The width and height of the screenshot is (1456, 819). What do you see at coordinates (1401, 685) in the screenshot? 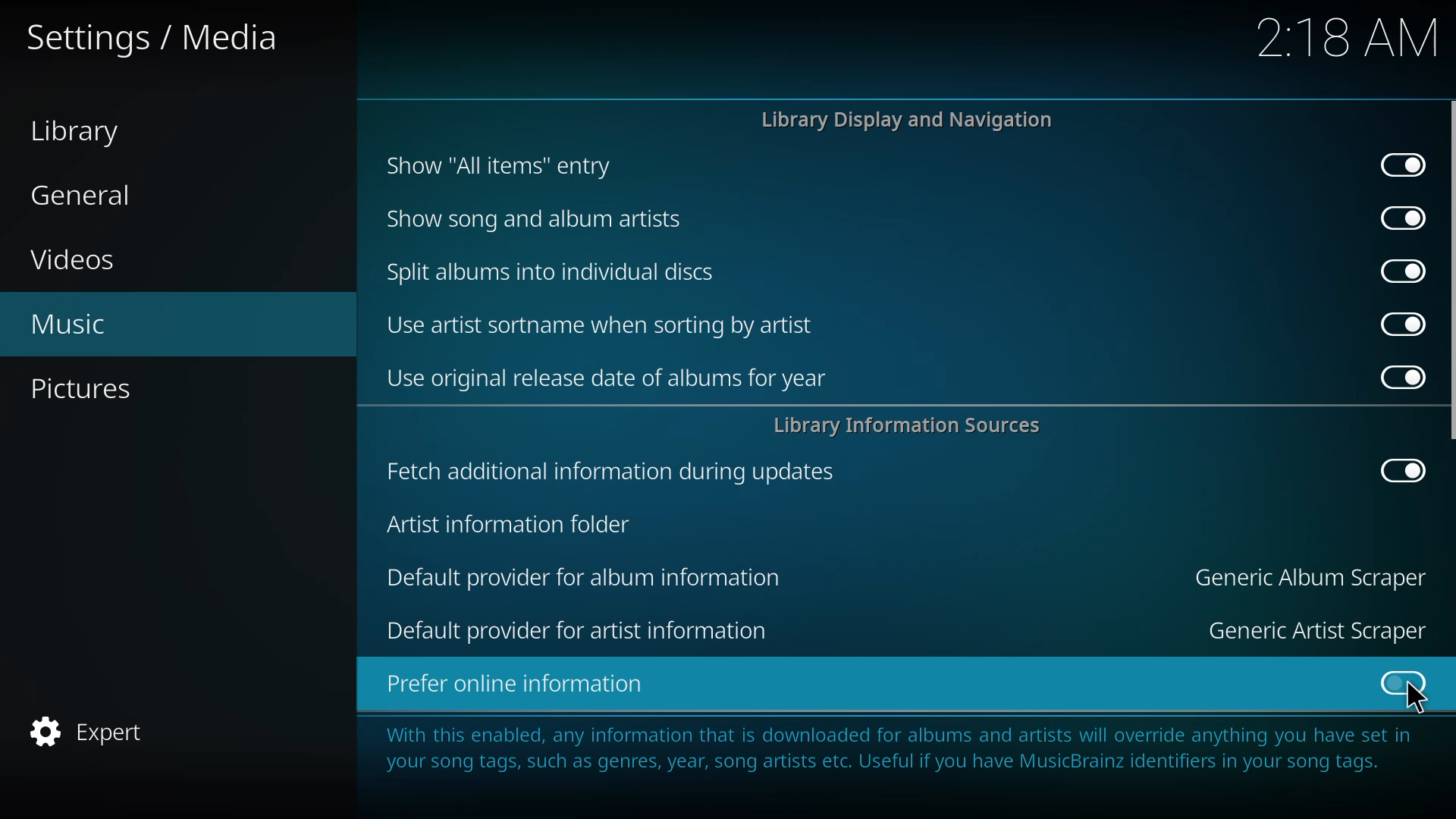
I see `click to enable` at bounding box center [1401, 685].